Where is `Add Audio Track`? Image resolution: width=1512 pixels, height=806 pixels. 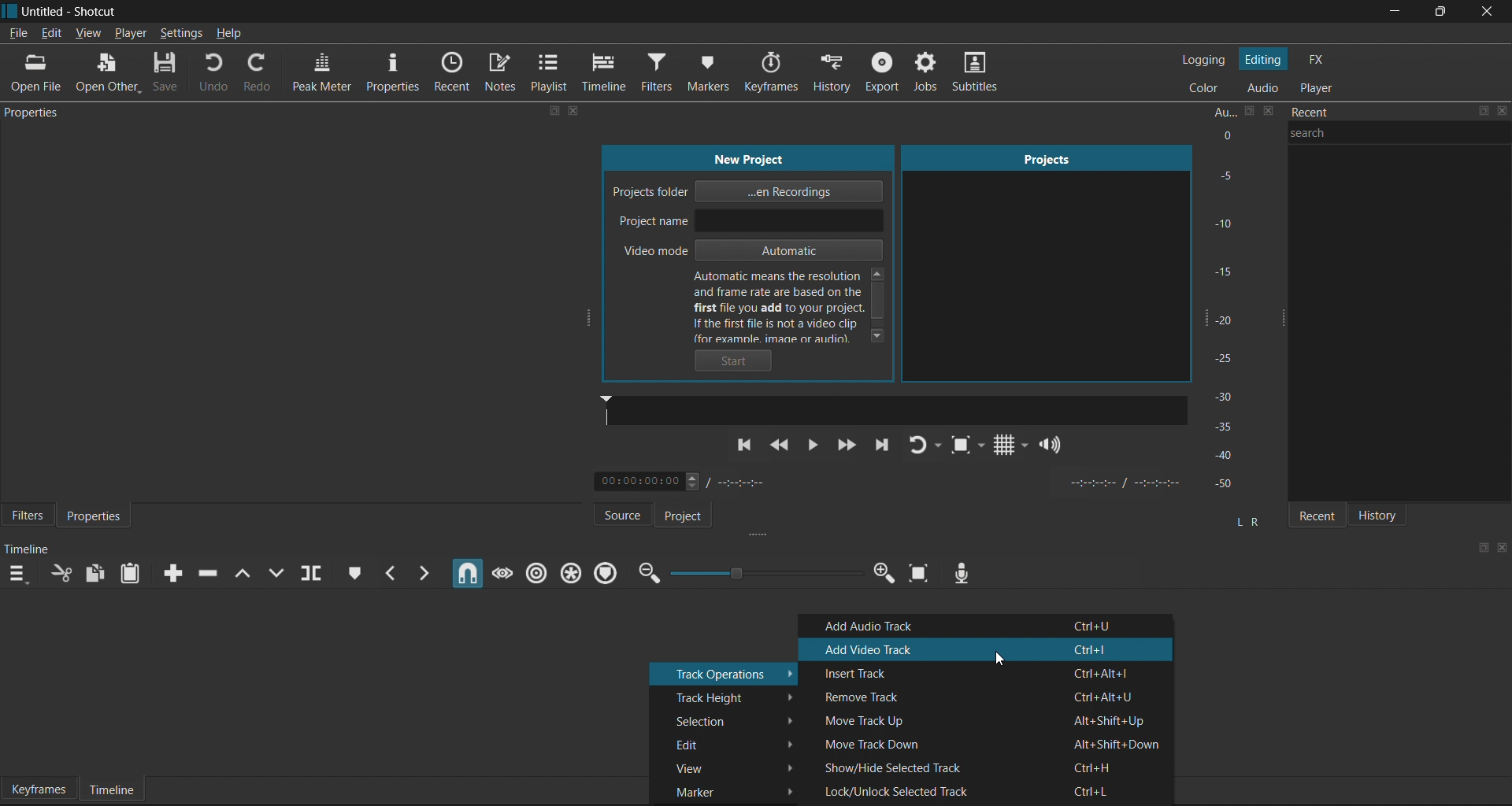 Add Audio Track is located at coordinates (988, 626).